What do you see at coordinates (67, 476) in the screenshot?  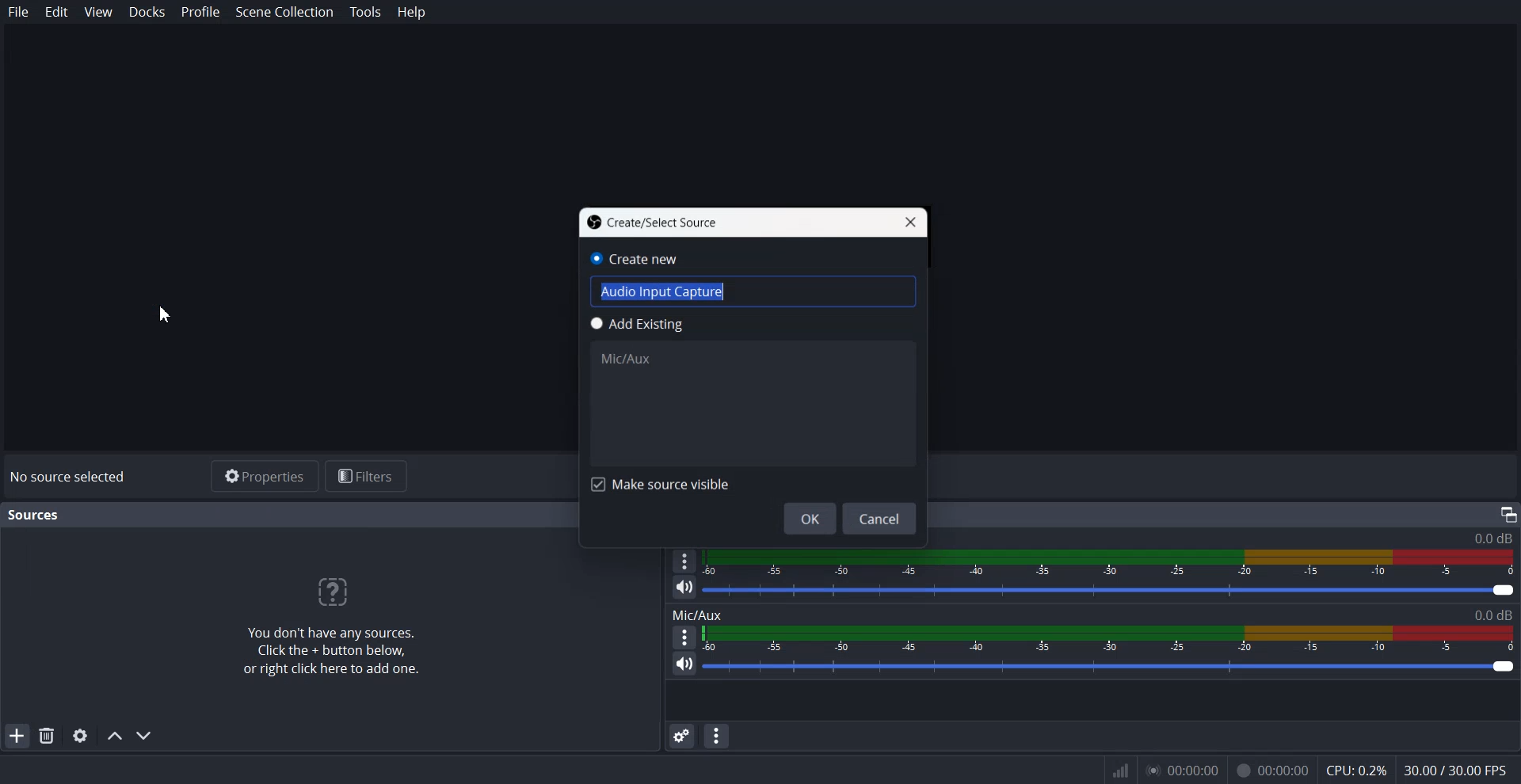 I see `Text` at bounding box center [67, 476].